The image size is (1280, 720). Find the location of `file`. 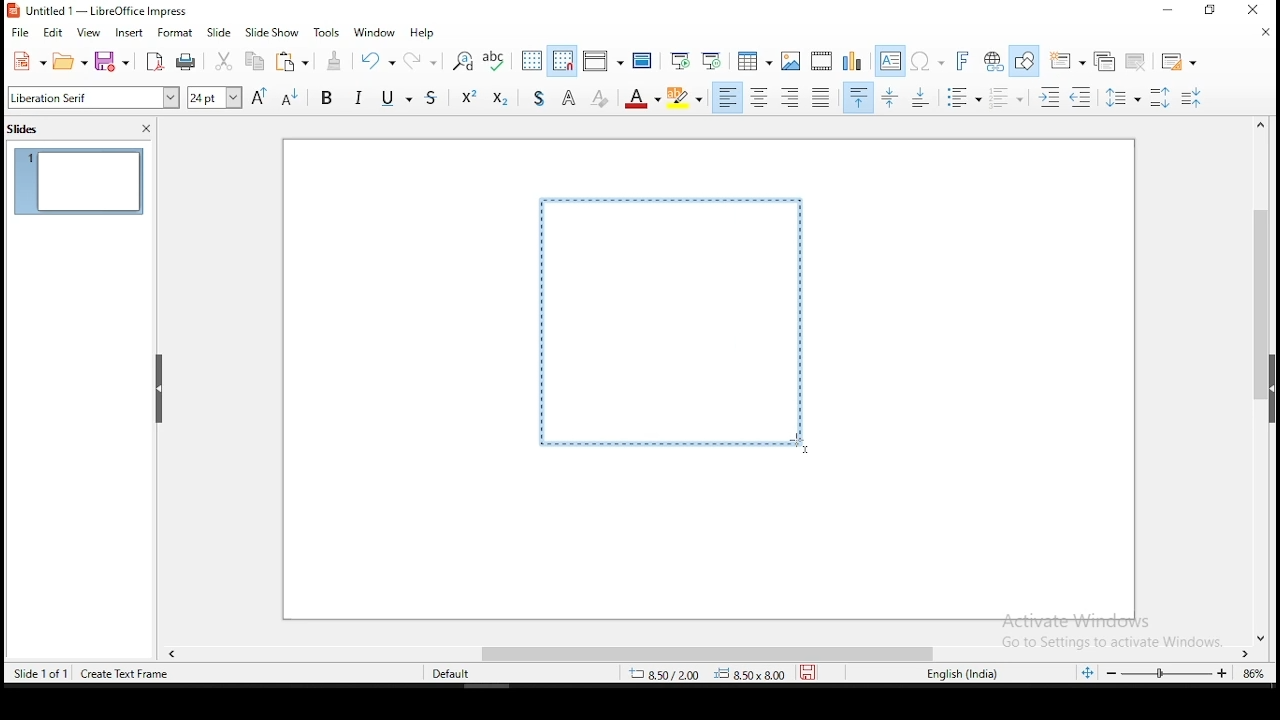

file is located at coordinates (20, 31).